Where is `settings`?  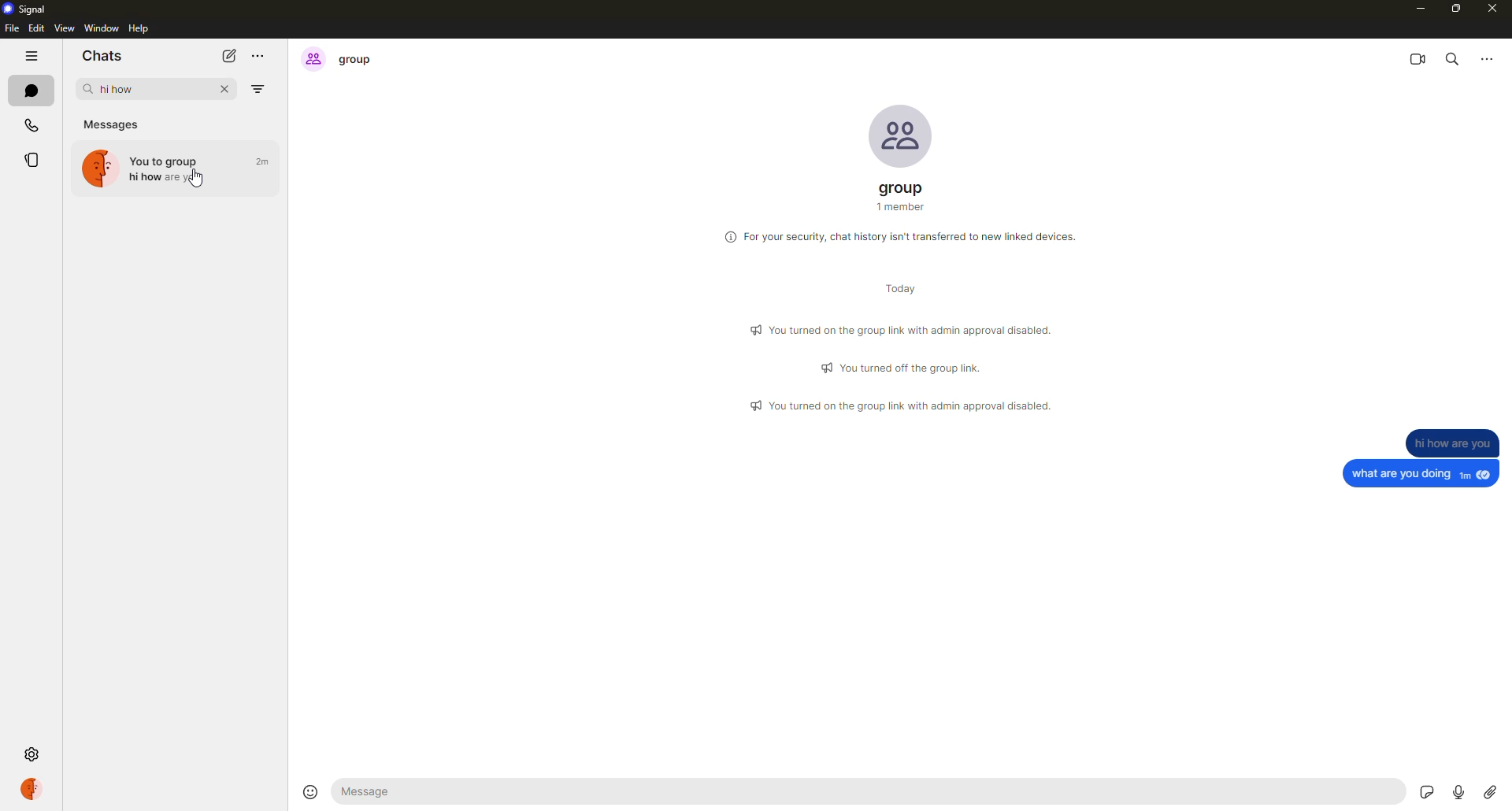 settings is located at coordinates (35, 753).